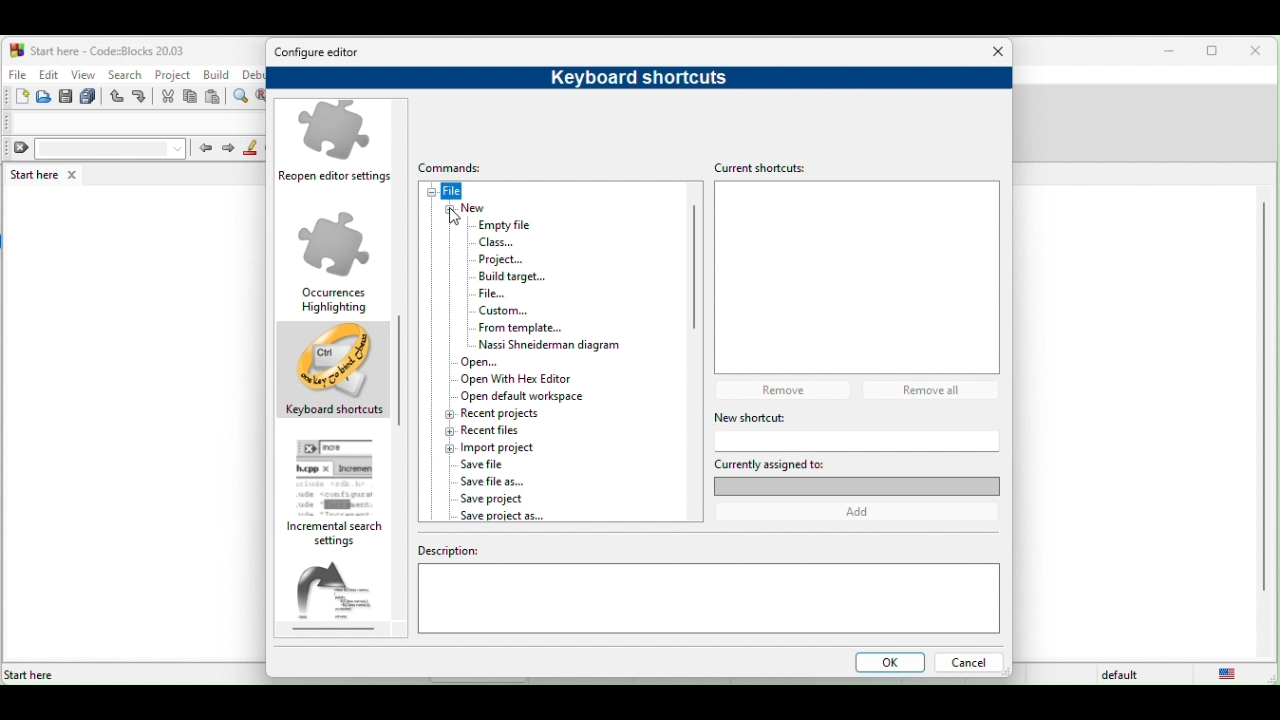  Describe the element at coordinates (398, 354) in the screenshot. I see `scroll bar moved` at that location.